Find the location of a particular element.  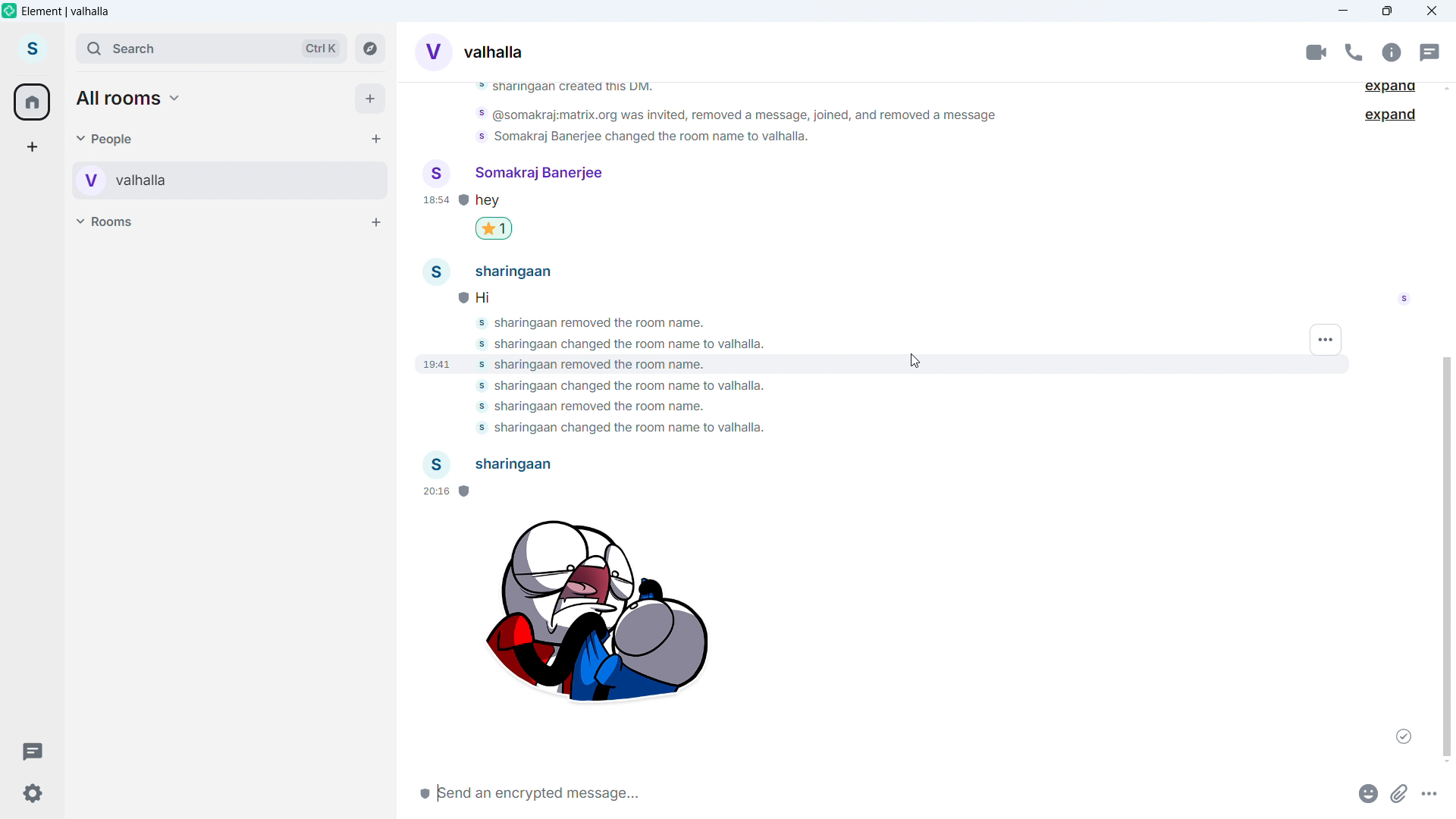

sharingaan created this dm is located at coordinates (576, 88).